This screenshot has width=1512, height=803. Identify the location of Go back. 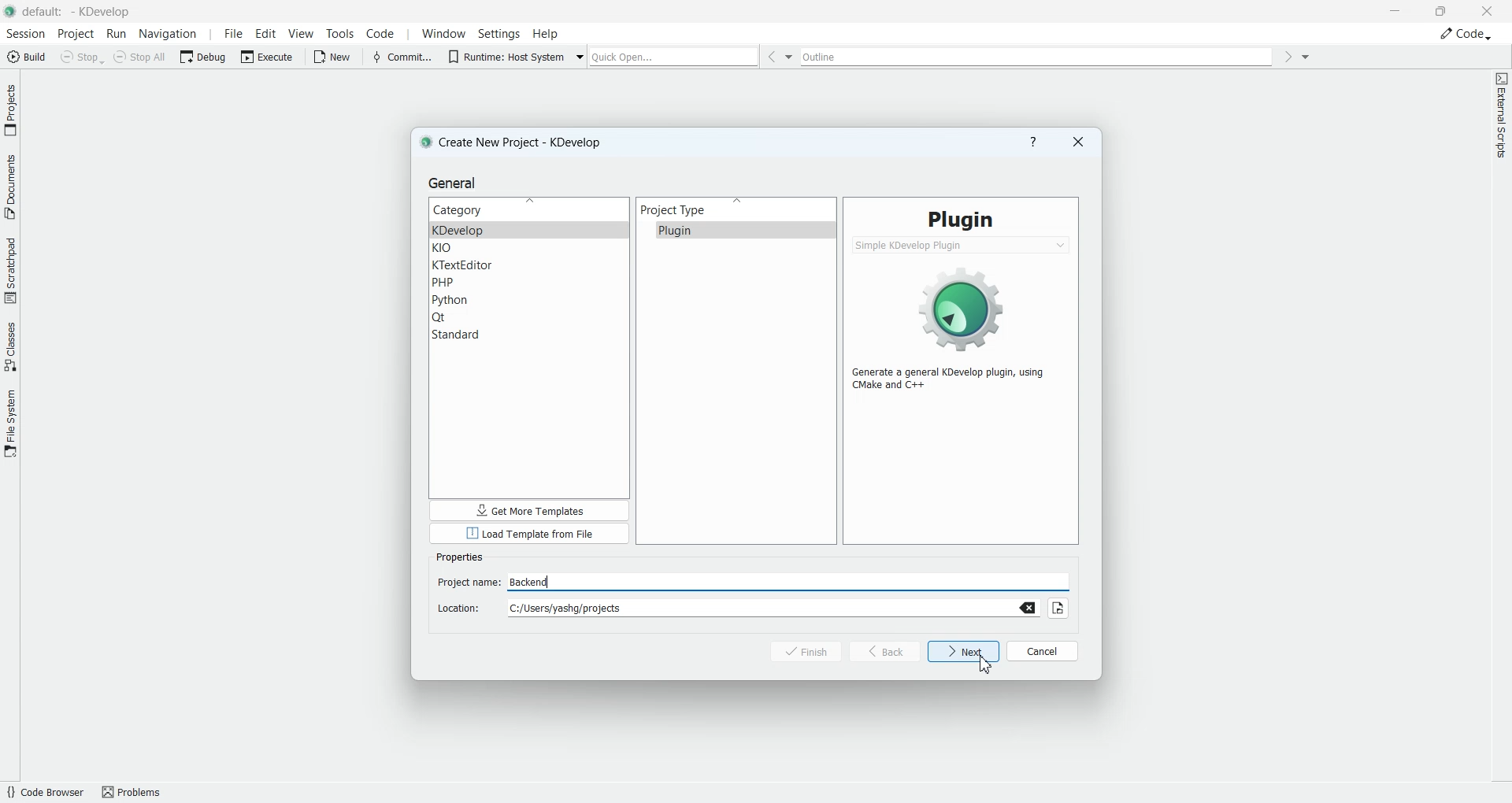
(770, 57).